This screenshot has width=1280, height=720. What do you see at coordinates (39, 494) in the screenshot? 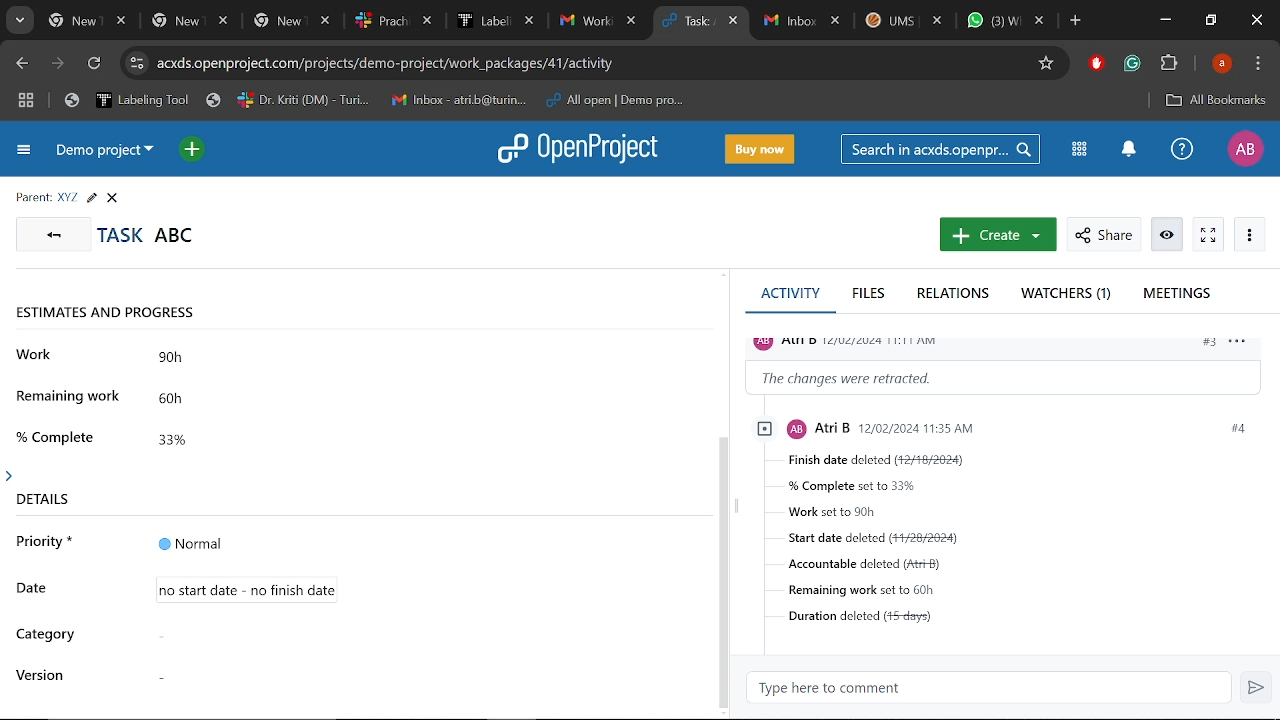
I see `details` at bounding box center [39, 494].